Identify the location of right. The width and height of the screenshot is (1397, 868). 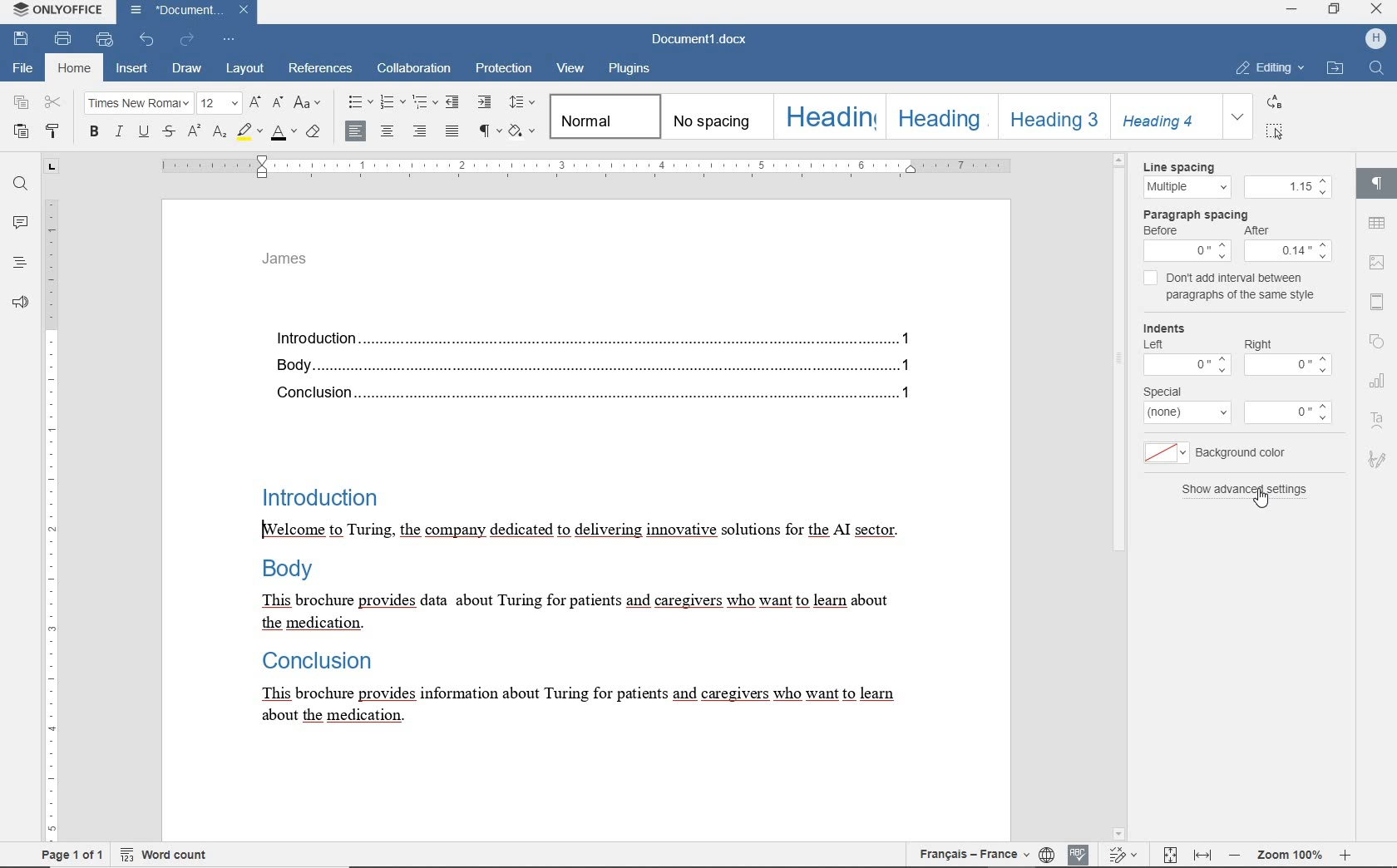
(1260, 343).